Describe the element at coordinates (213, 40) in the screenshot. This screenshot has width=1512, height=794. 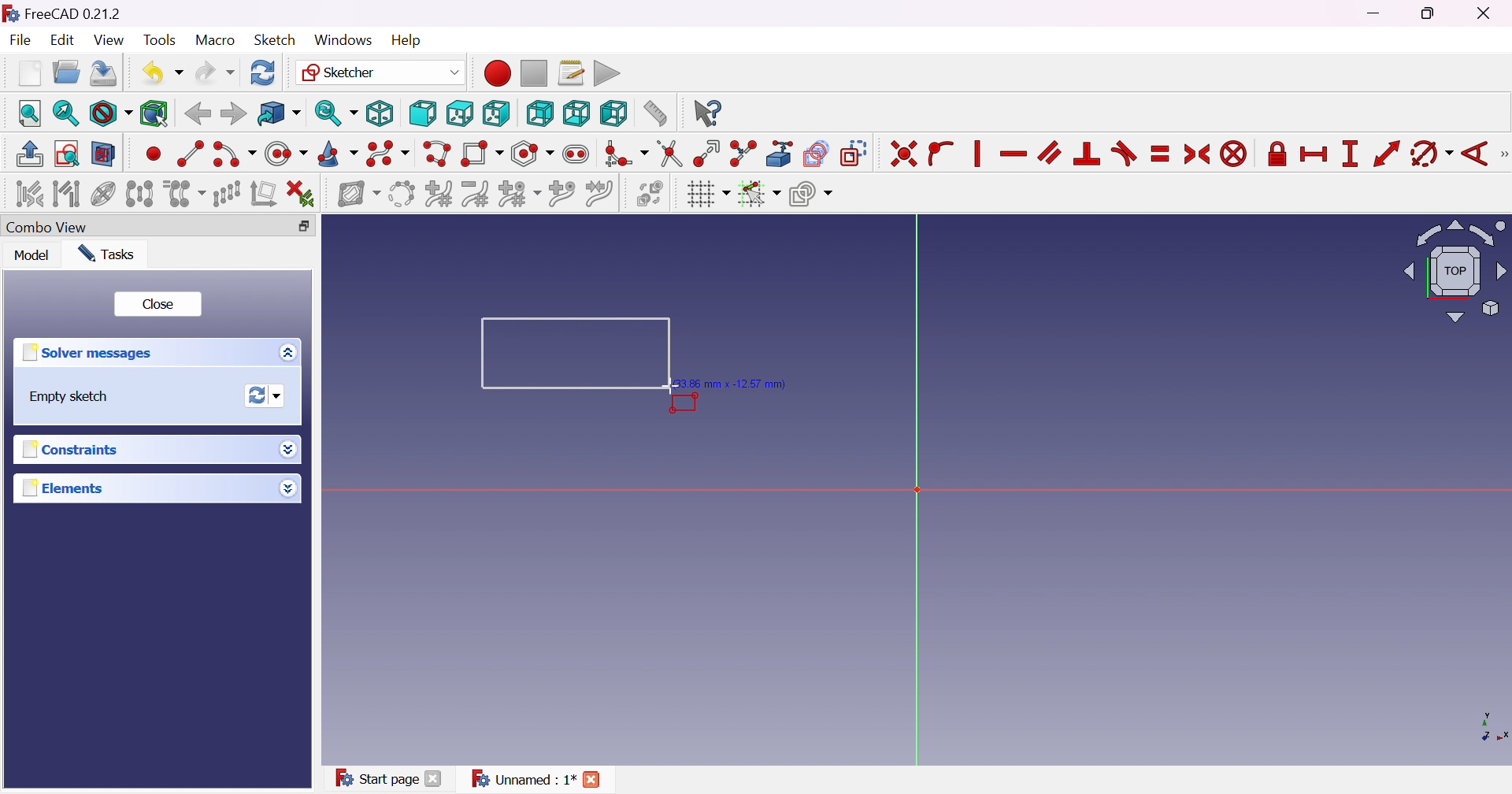
I see `Macro` at that location.